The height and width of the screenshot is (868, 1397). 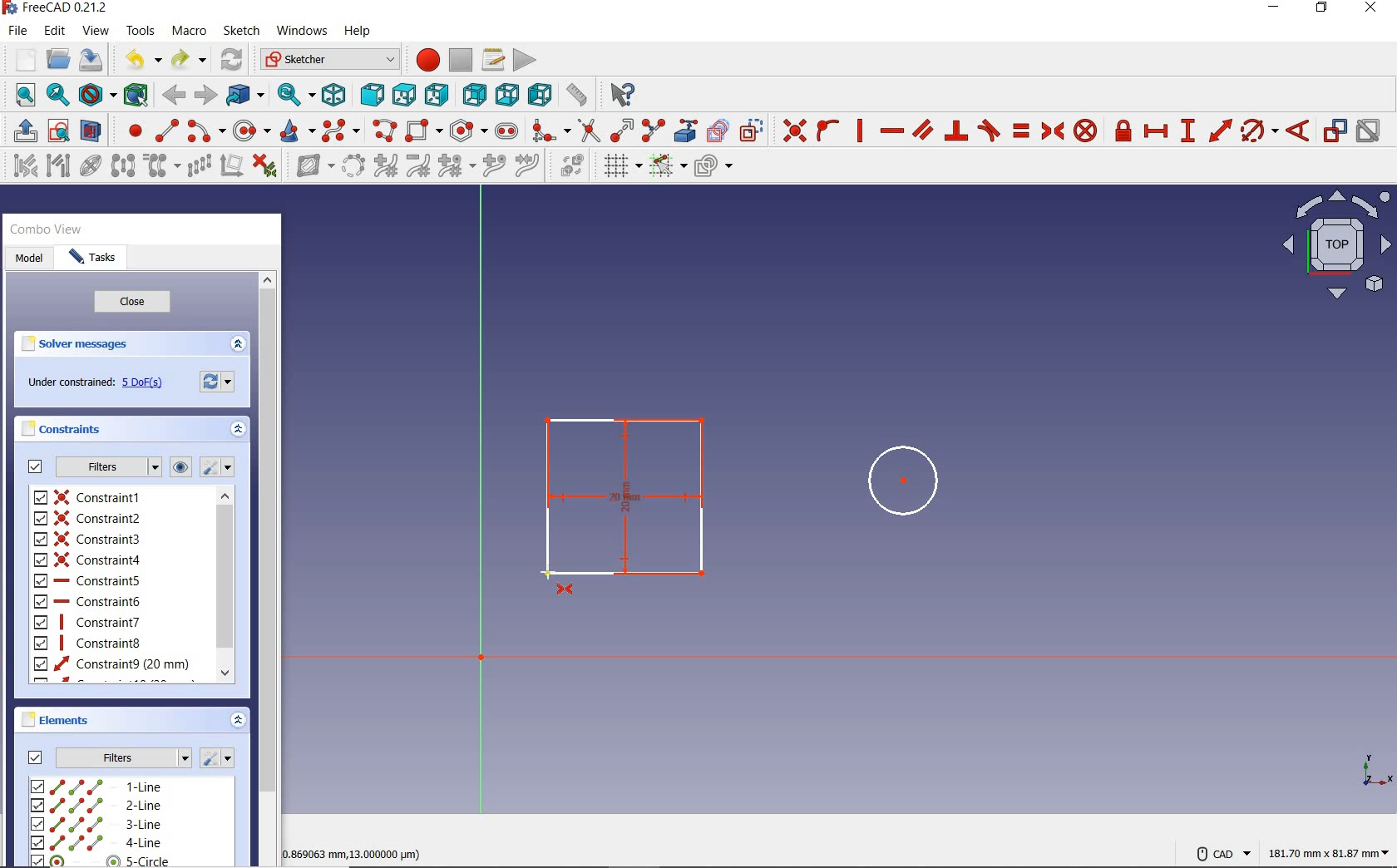 What do you see at coordinates (669, 165) in the screenshot?
I see `toggle snap` at bounding box center [669, 165].